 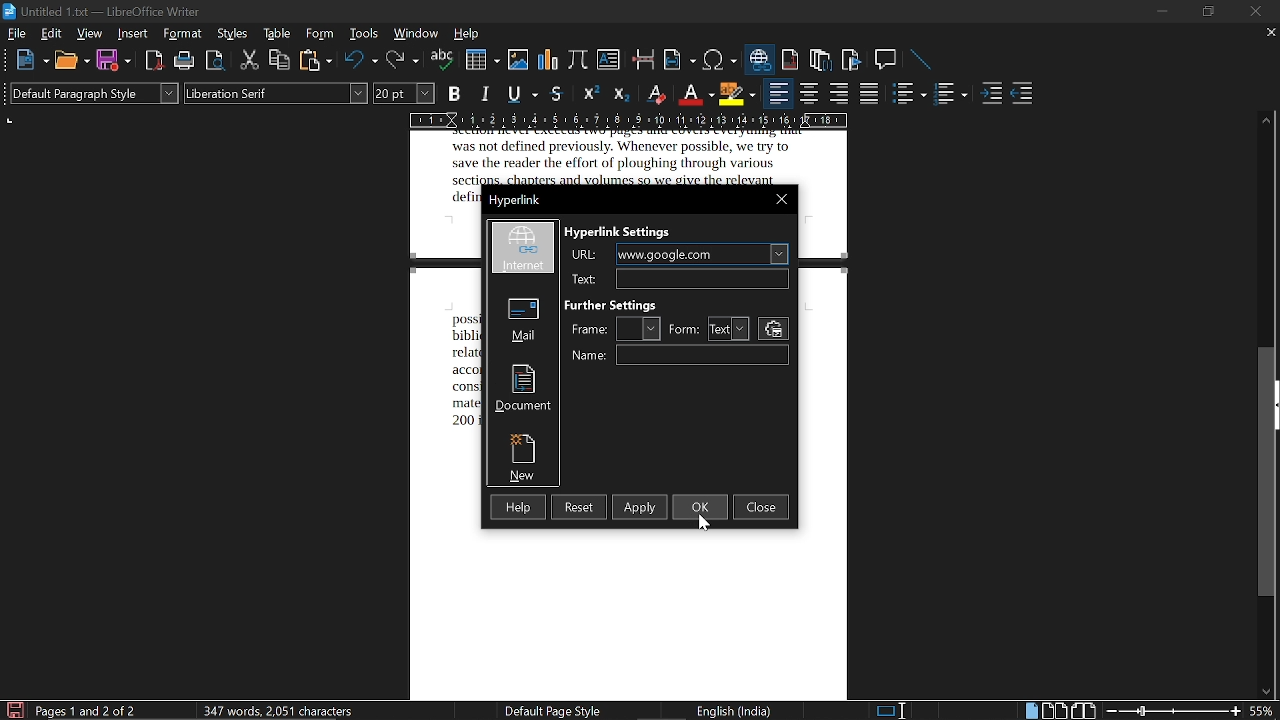 What do you see at coordinates (732, 711) in the screenshot?
I see `current language` at bounding box center [732, 711].